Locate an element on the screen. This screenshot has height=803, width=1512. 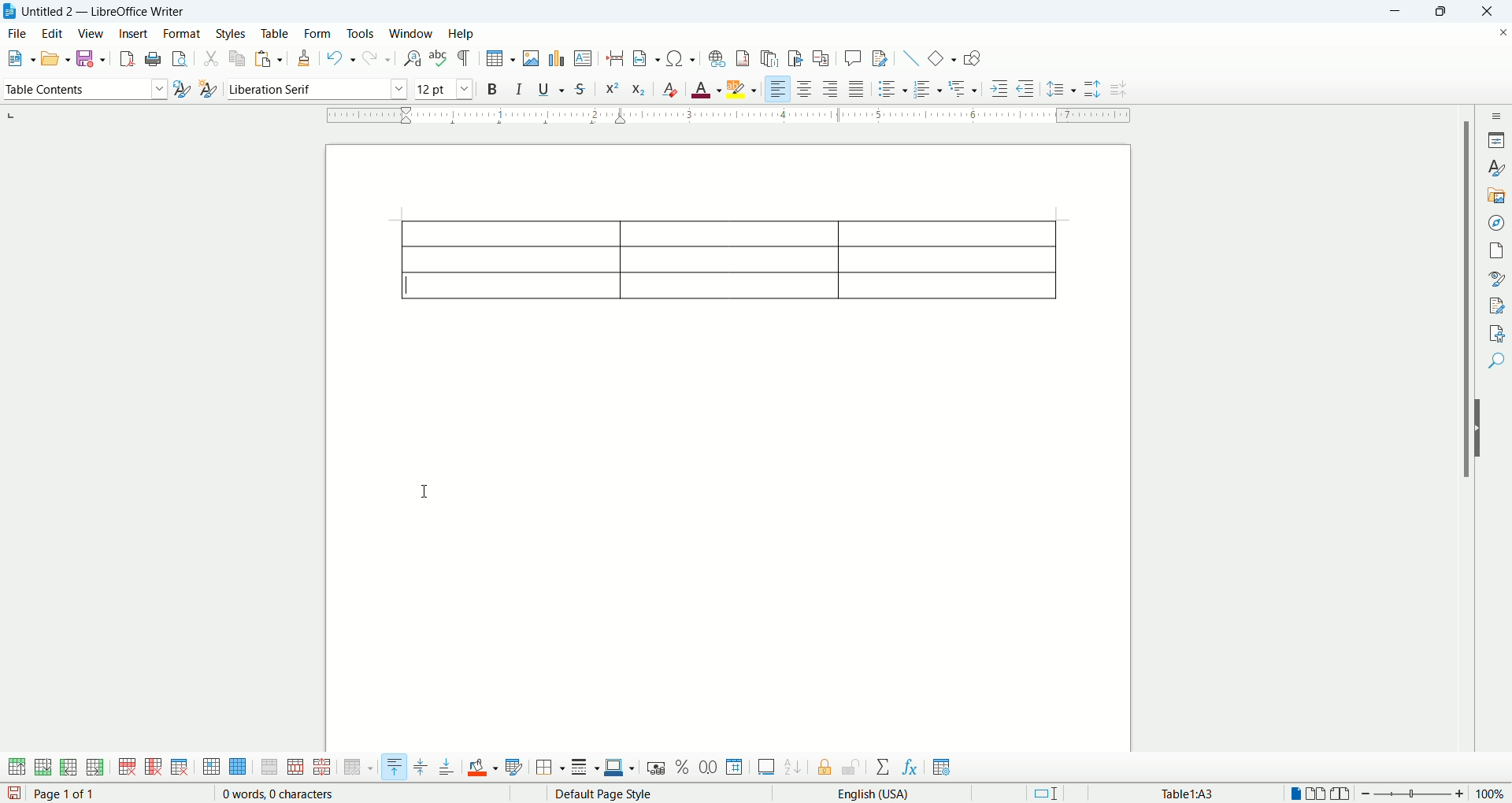
decrease indent is located at coordinates (1025, 88).